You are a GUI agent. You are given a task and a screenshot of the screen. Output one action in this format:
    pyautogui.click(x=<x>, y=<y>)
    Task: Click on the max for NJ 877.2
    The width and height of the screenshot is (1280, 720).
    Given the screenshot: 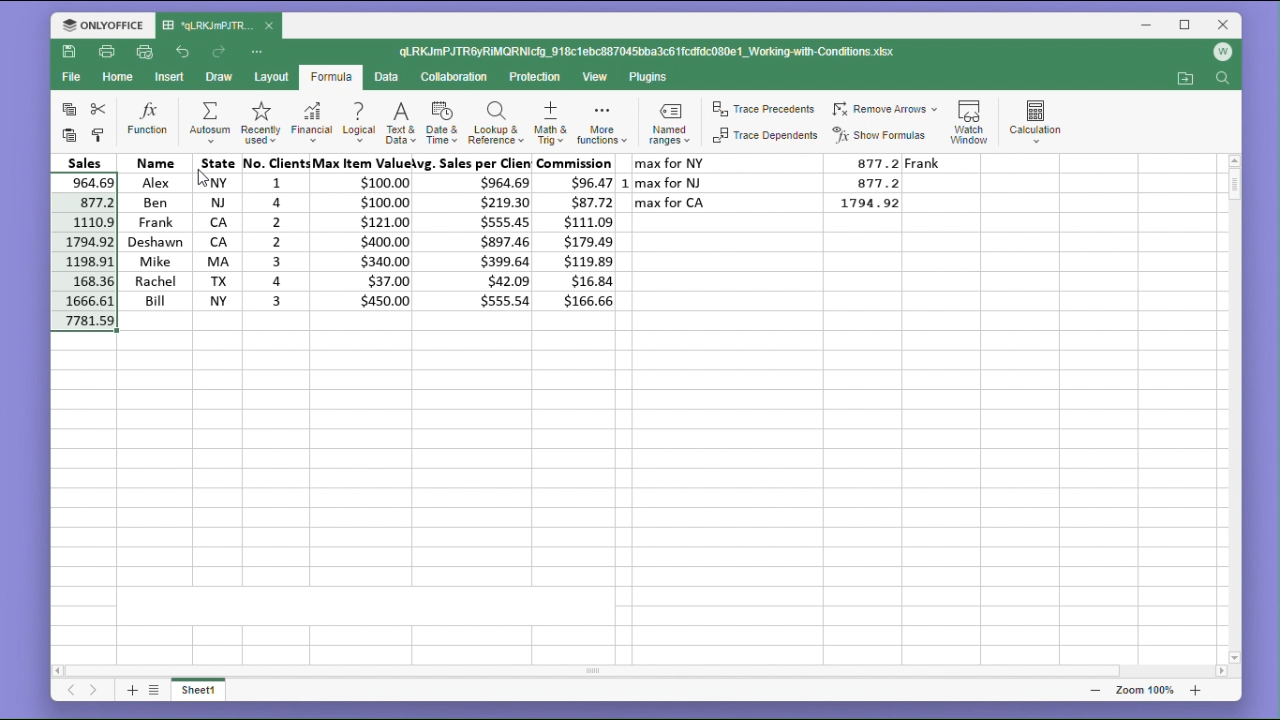 What is the action you would take?
    pyautogui.click(x=774, y=182)
    